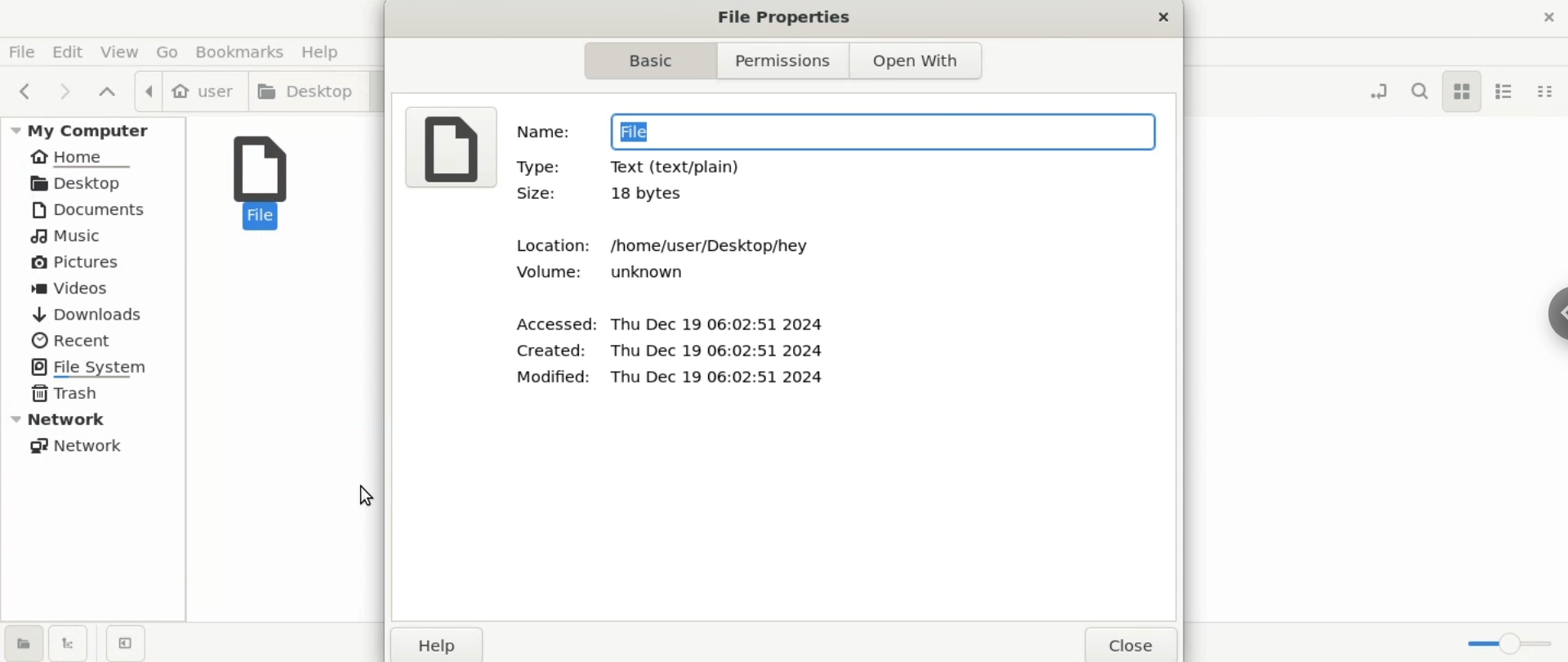  What do you see at coordinates (1511, 646) in the screenshot?
I see `zoom` at bounding box center [1511, 646].